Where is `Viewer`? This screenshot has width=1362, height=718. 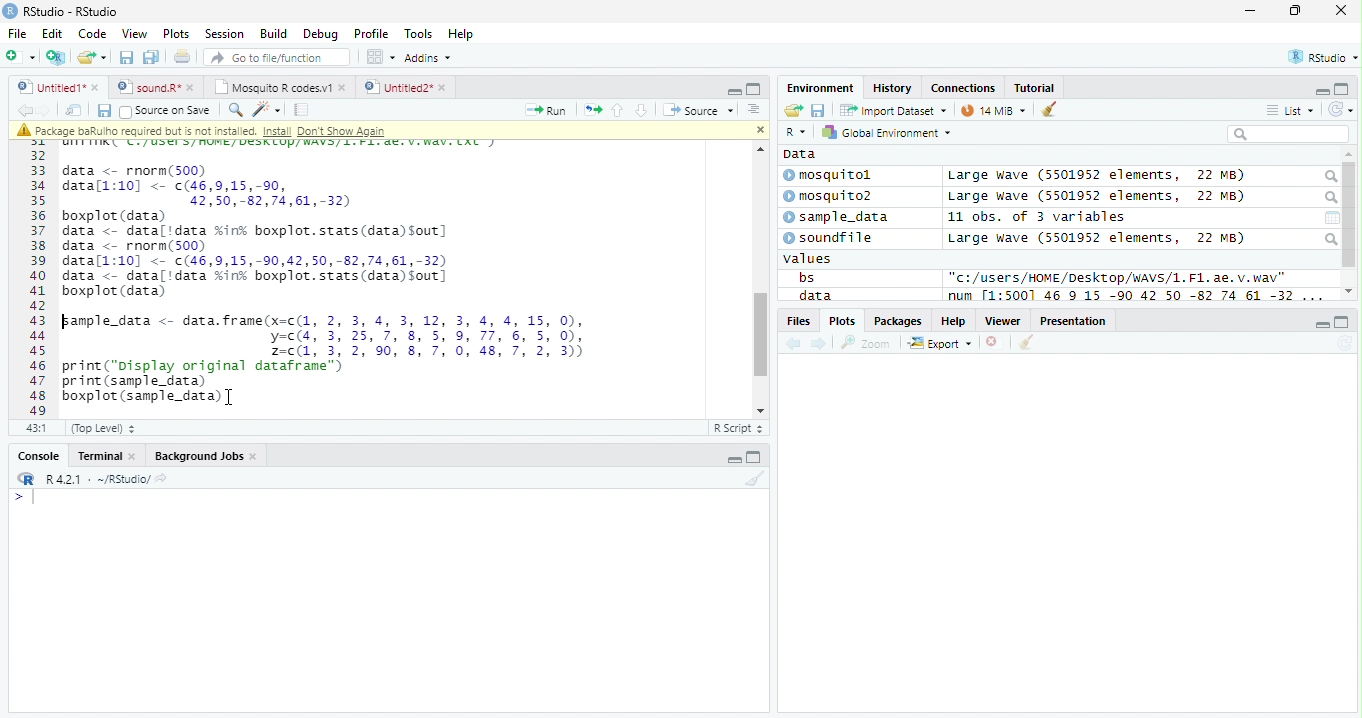 Viewer is located at coordinates (1003, 321).